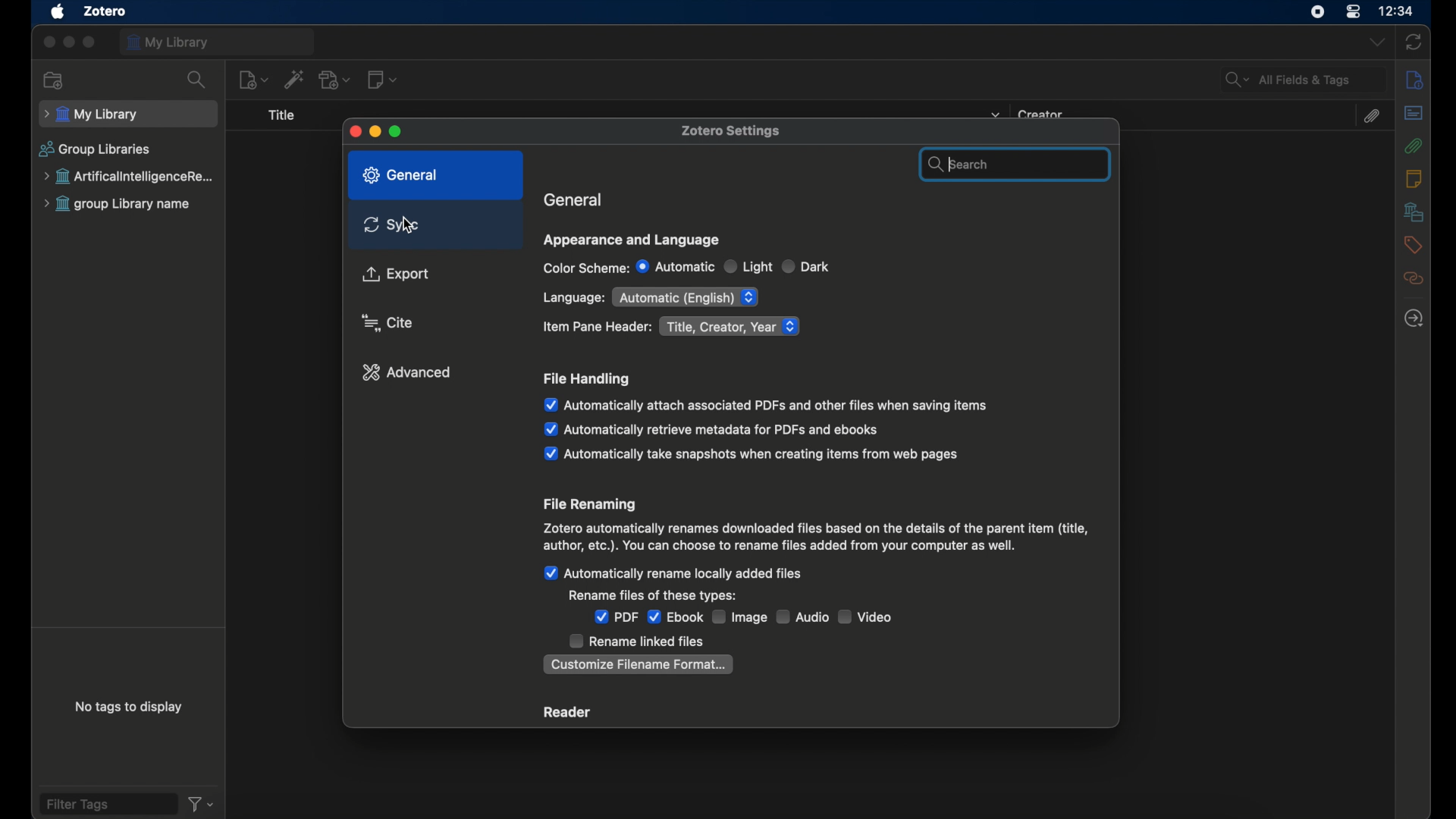  I want to click on title, created, year dropdown, so click(730, 327).